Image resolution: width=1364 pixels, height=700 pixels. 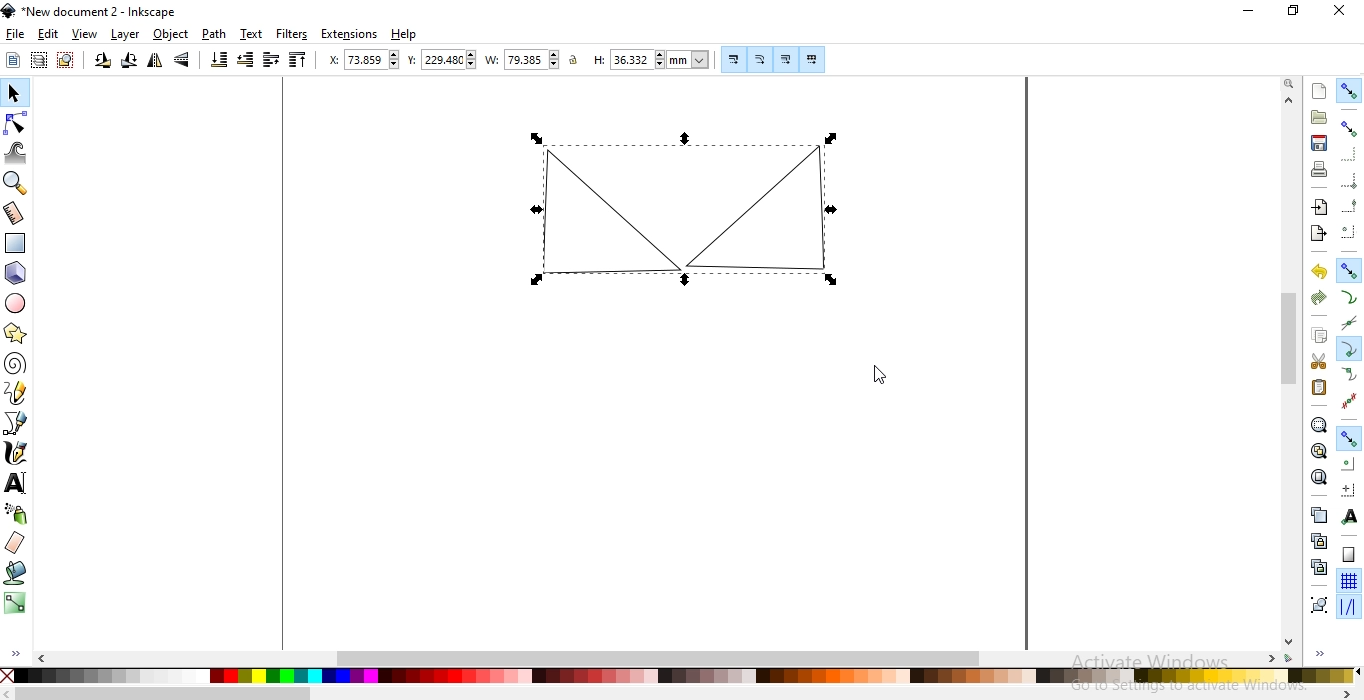 What do you see at coordinates (1320, 653) in the screenshot?
I see `expand/hide sidebar` at bounding box center [1320, 653].